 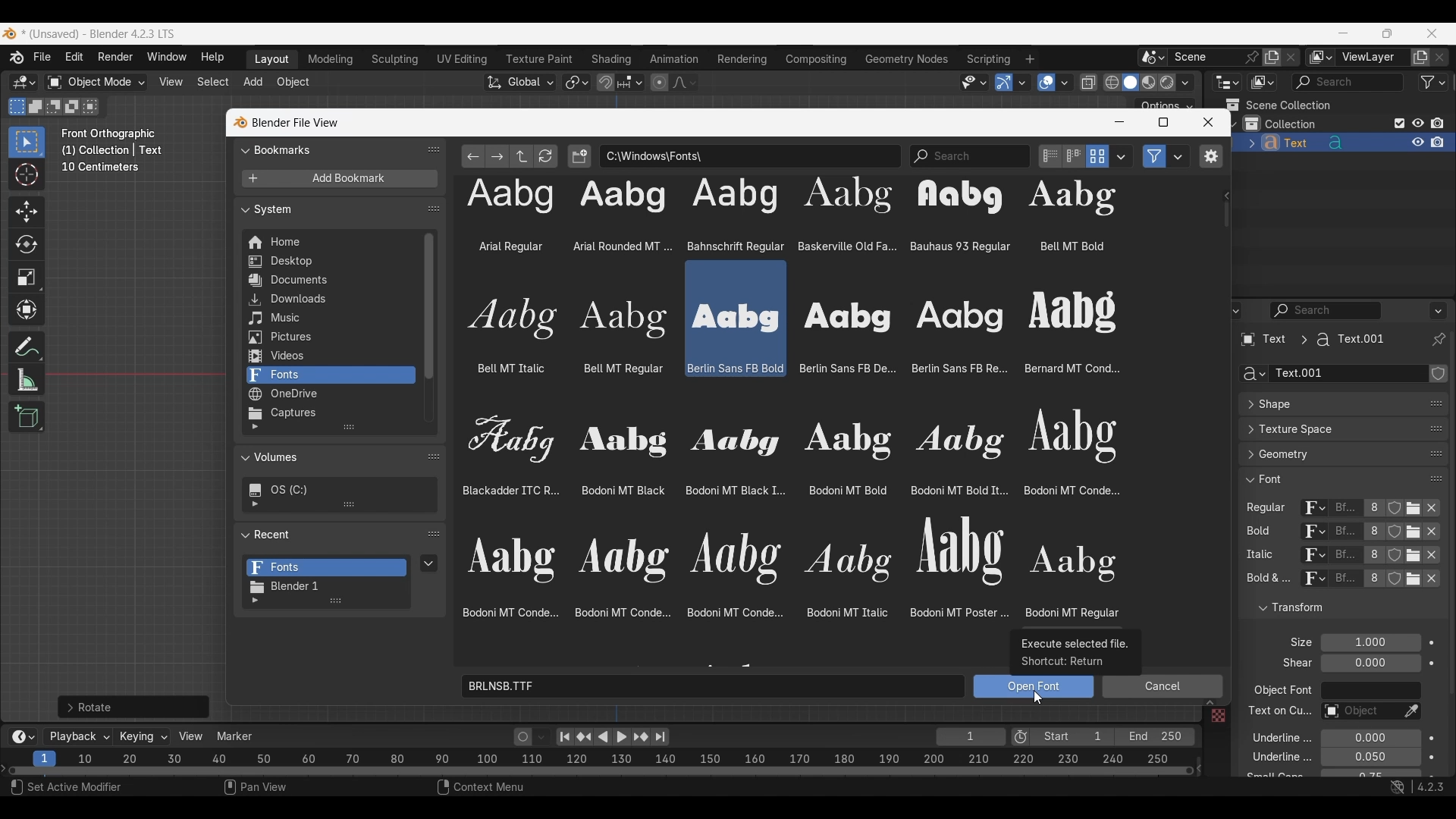 What do you see at coordinates (329, 149) in the screenshot?
I see `Collapse Bookmarks` at bounding box center [329, 149].